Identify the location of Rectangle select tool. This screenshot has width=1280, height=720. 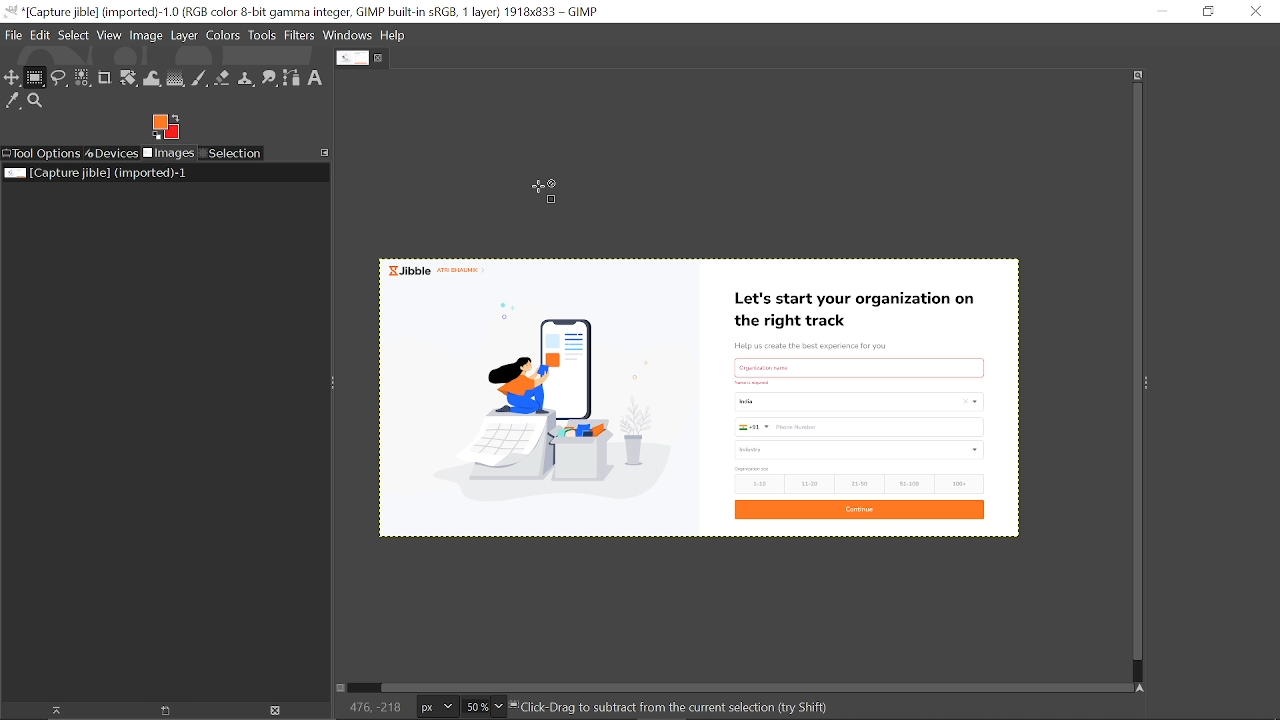
(36, 79).